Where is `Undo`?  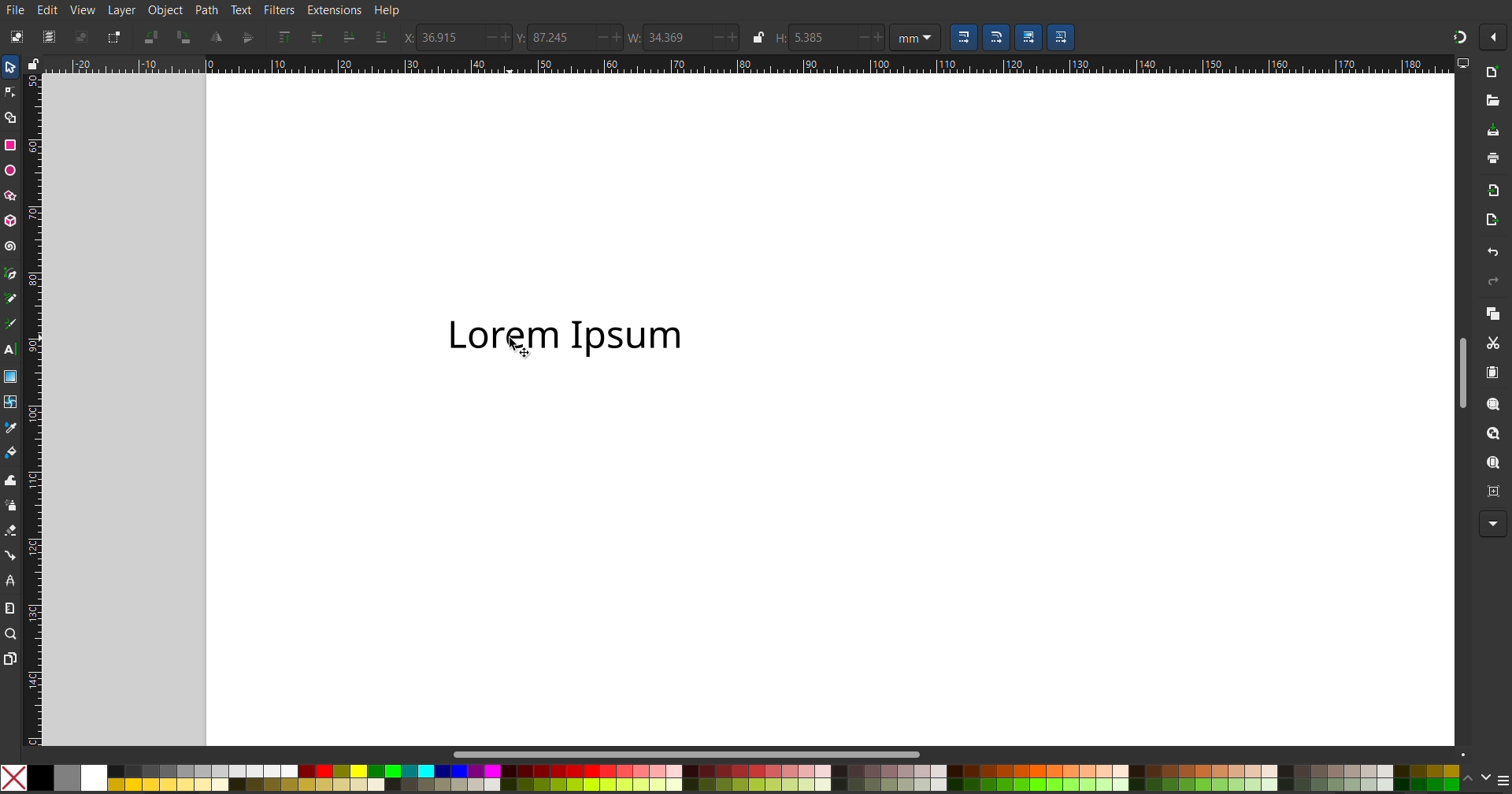 Undo is located at coordinates (1495, 251).